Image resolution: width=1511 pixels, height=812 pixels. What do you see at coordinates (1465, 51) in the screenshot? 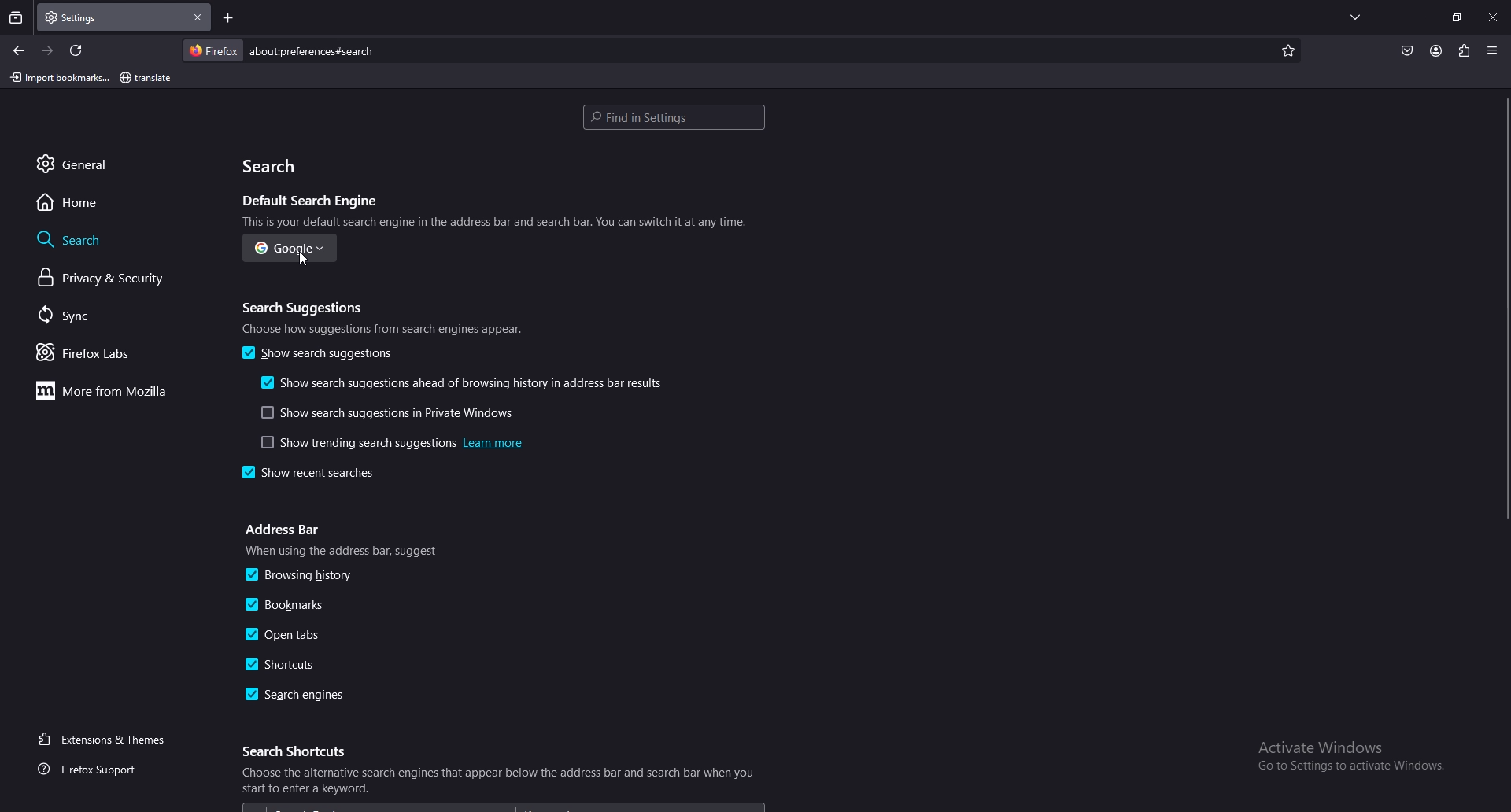
I see `extensions` at bounding box center [1465, 51].